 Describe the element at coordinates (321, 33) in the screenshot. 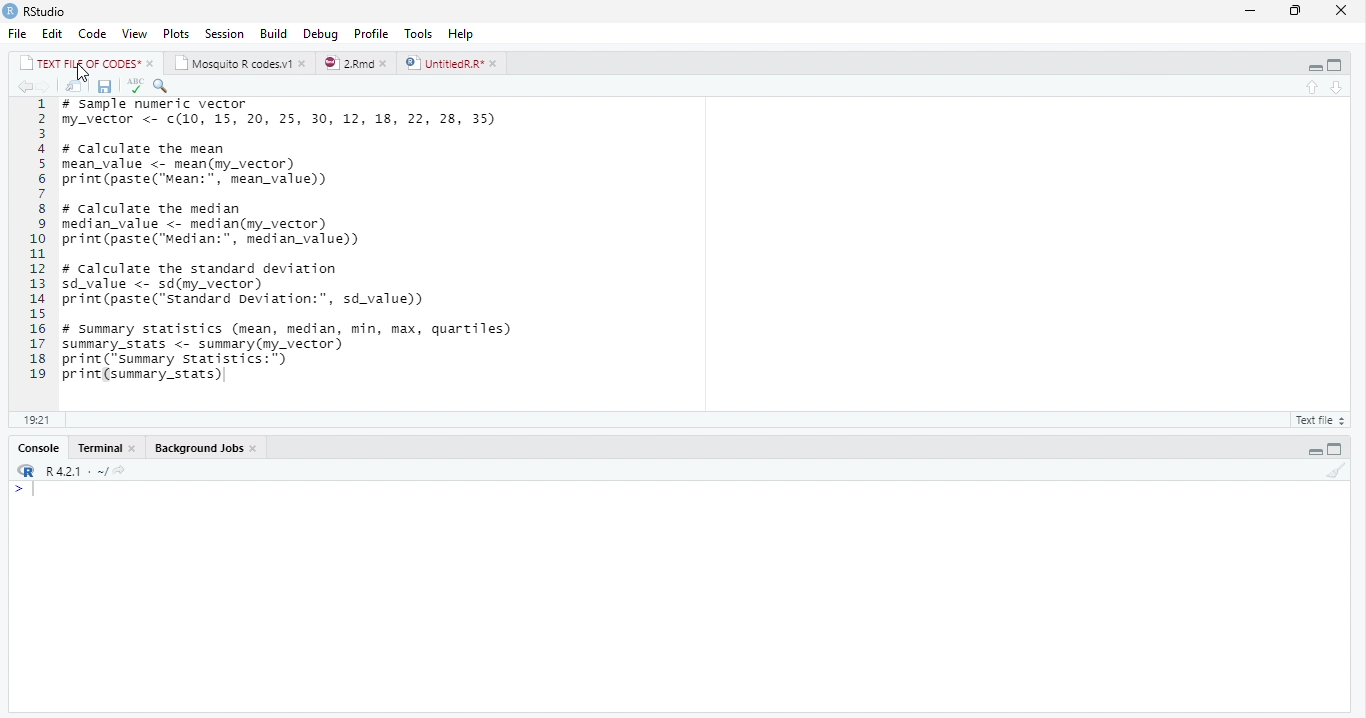

I see `debug` at that location.